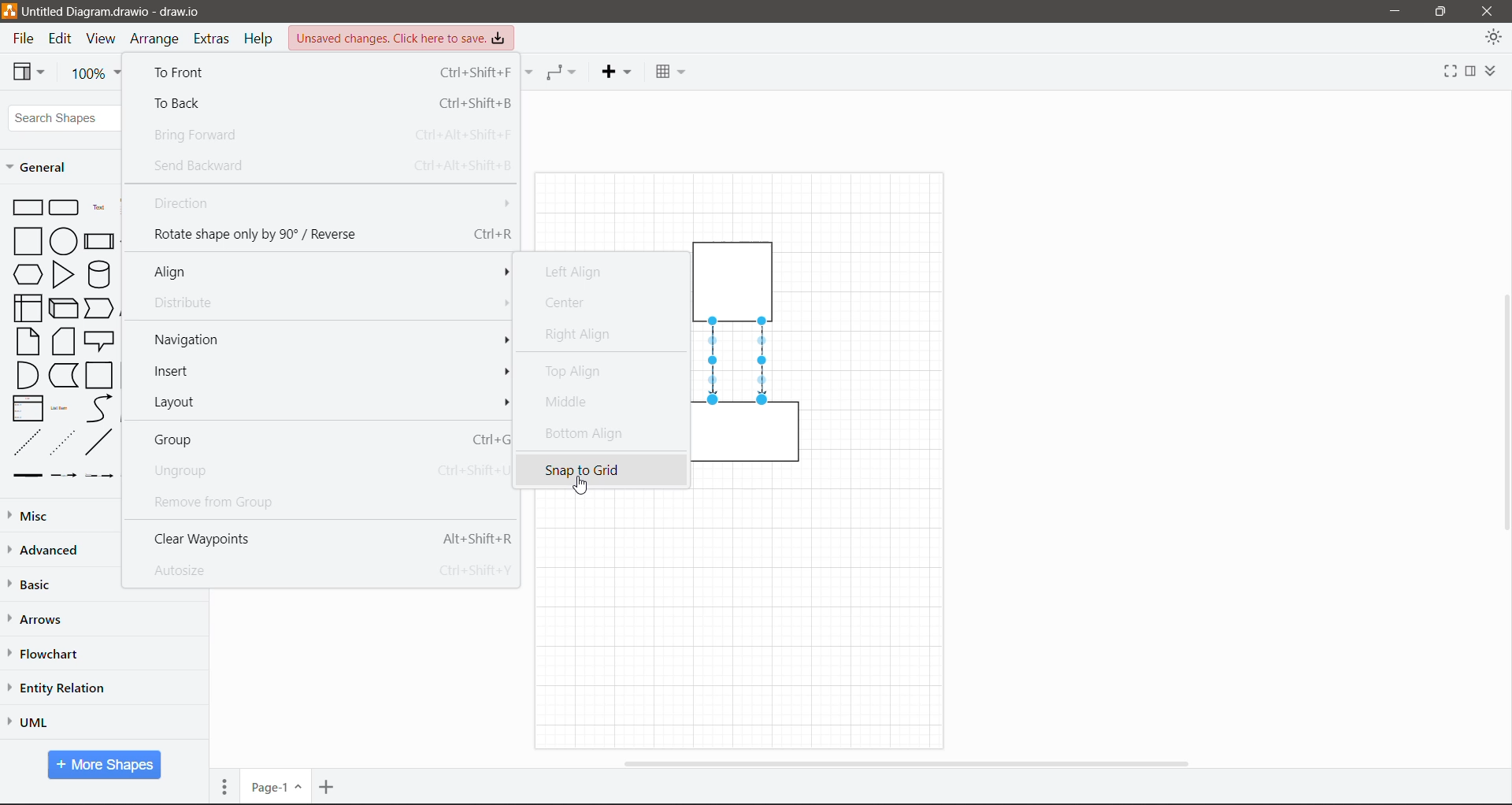  I want to click on Left Align, so click(581, 273).